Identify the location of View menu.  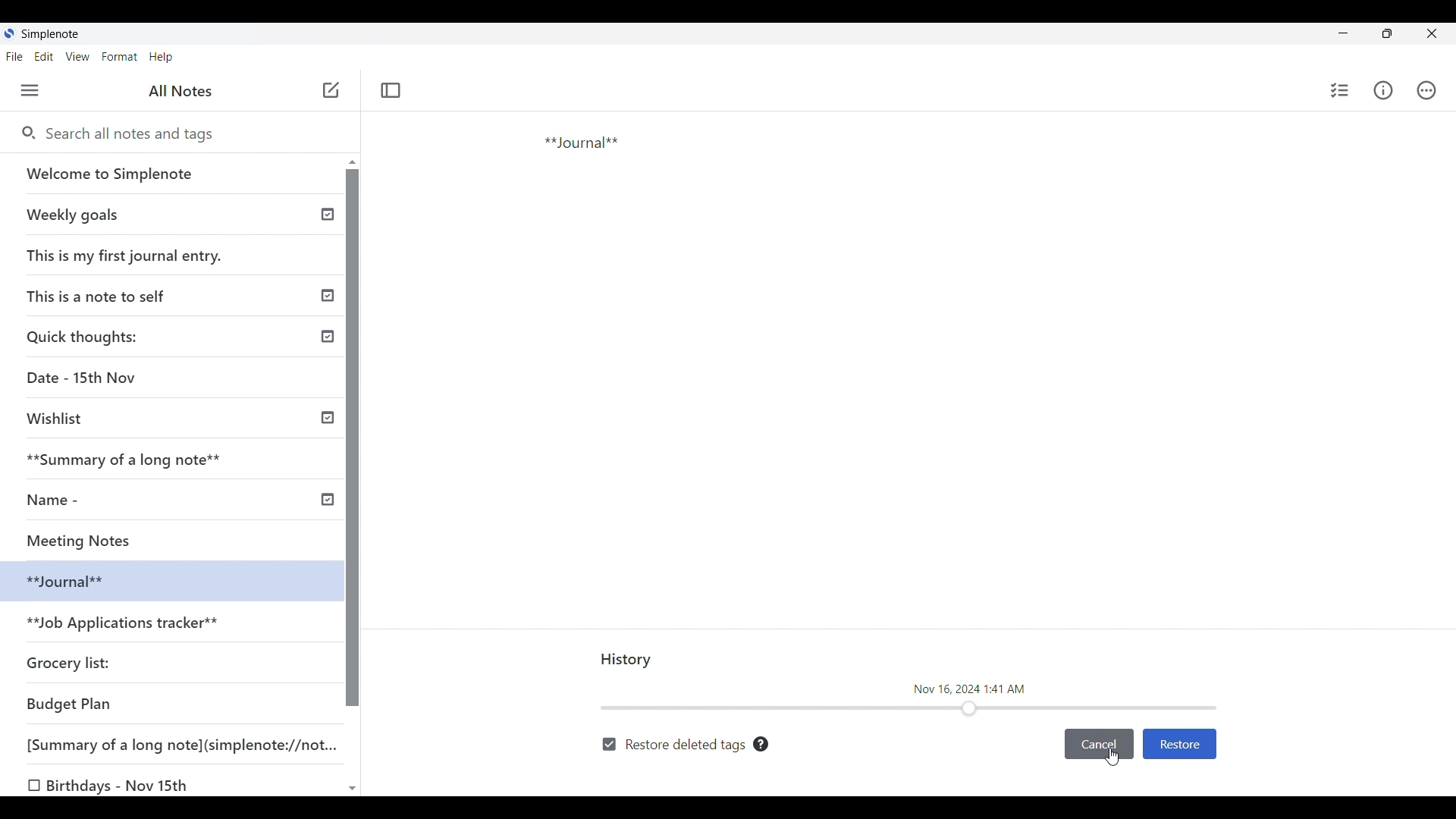
(78, 57).